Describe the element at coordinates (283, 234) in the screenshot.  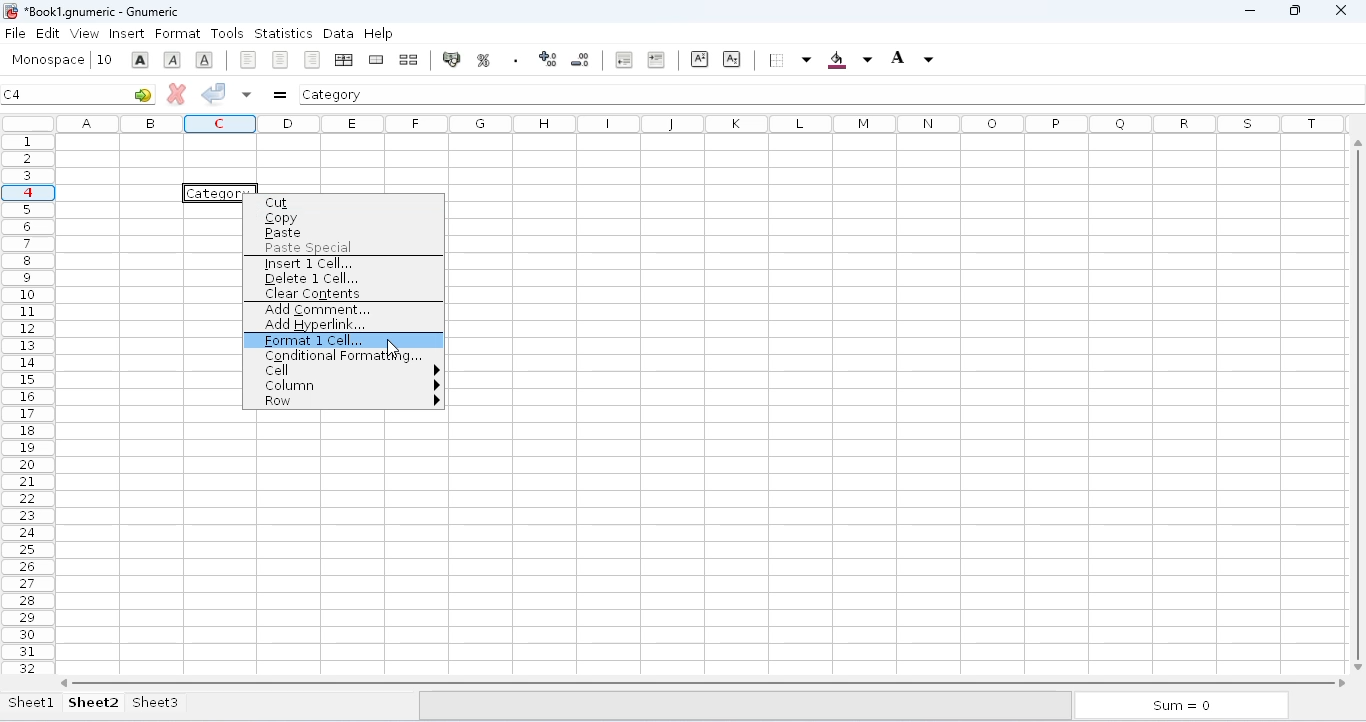
I see `paste` at that location.